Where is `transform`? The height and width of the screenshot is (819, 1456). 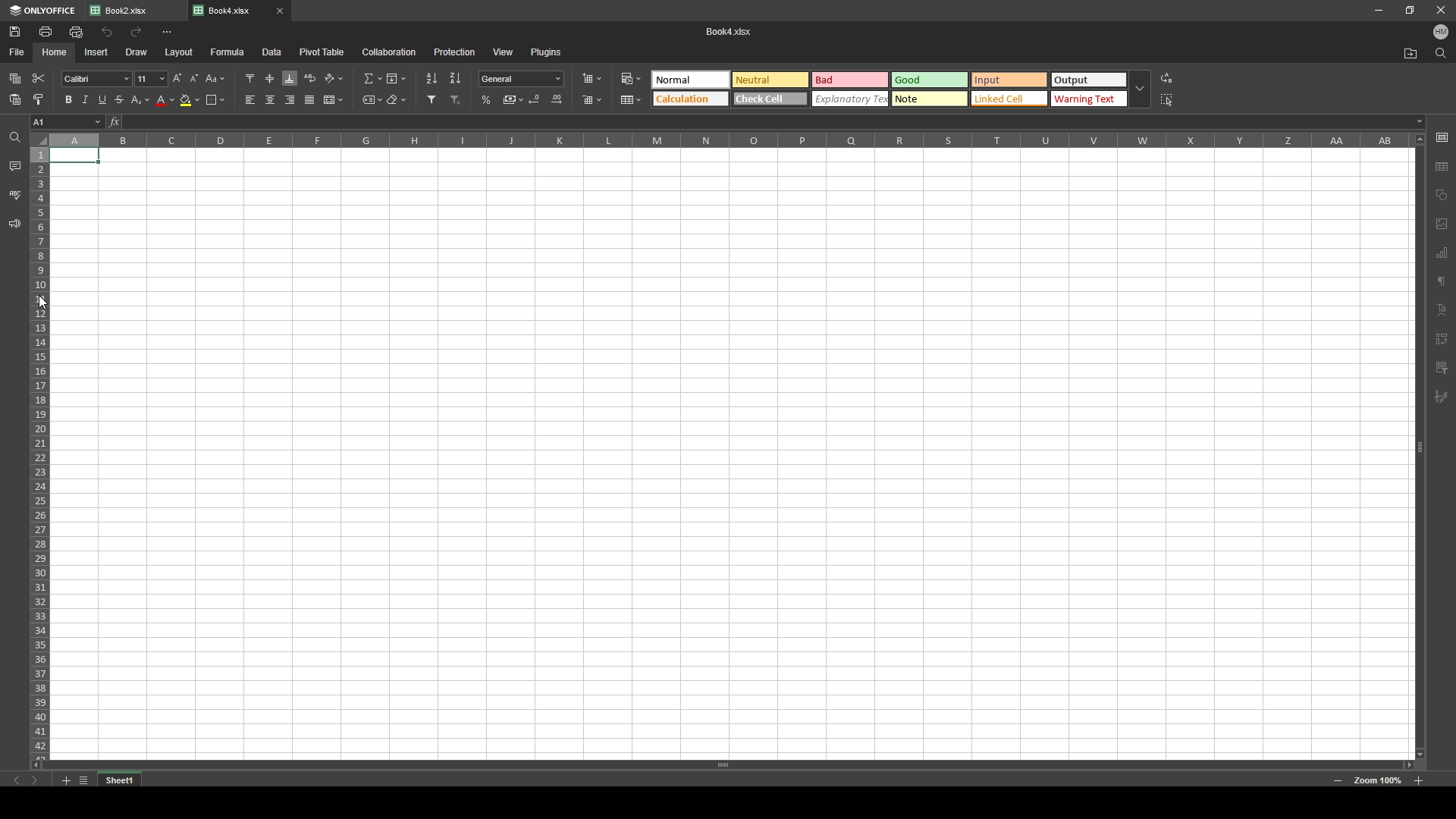 transform is located at coordinates (1442, 337).